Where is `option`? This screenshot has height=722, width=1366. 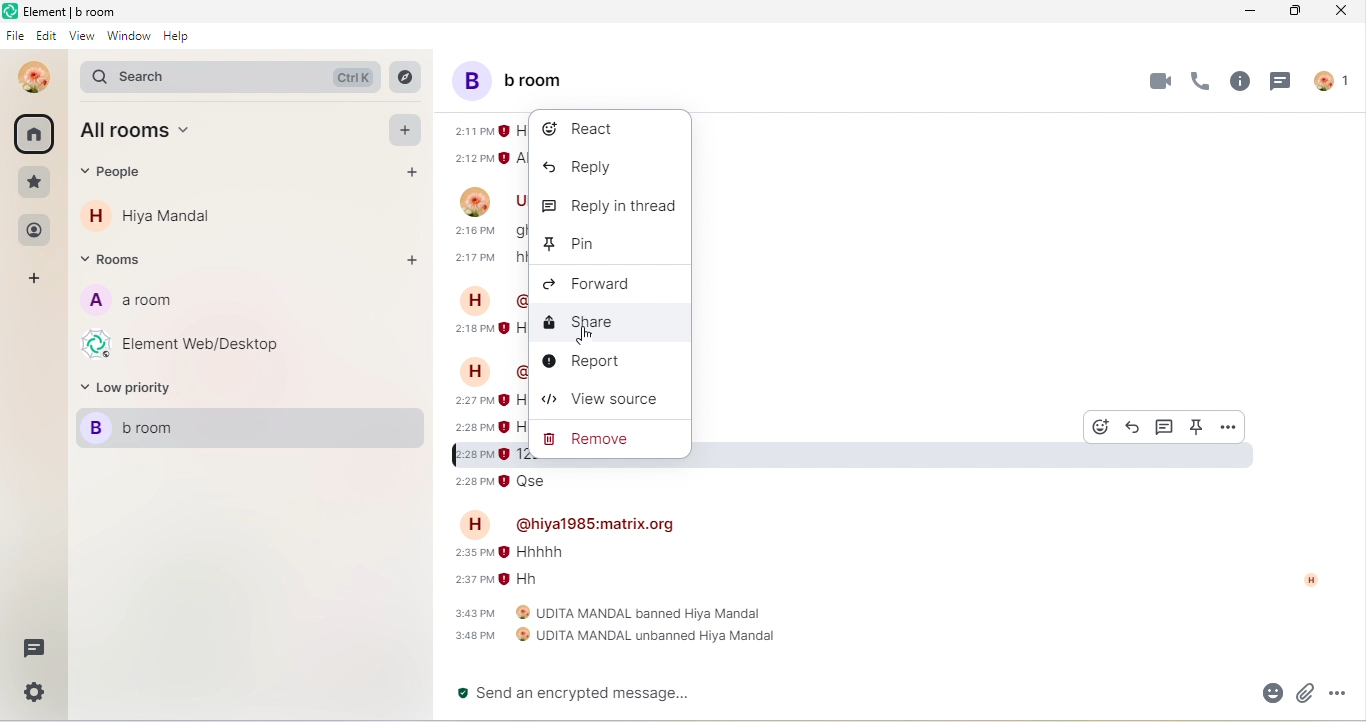 option is located at coordinates (1227, 425).